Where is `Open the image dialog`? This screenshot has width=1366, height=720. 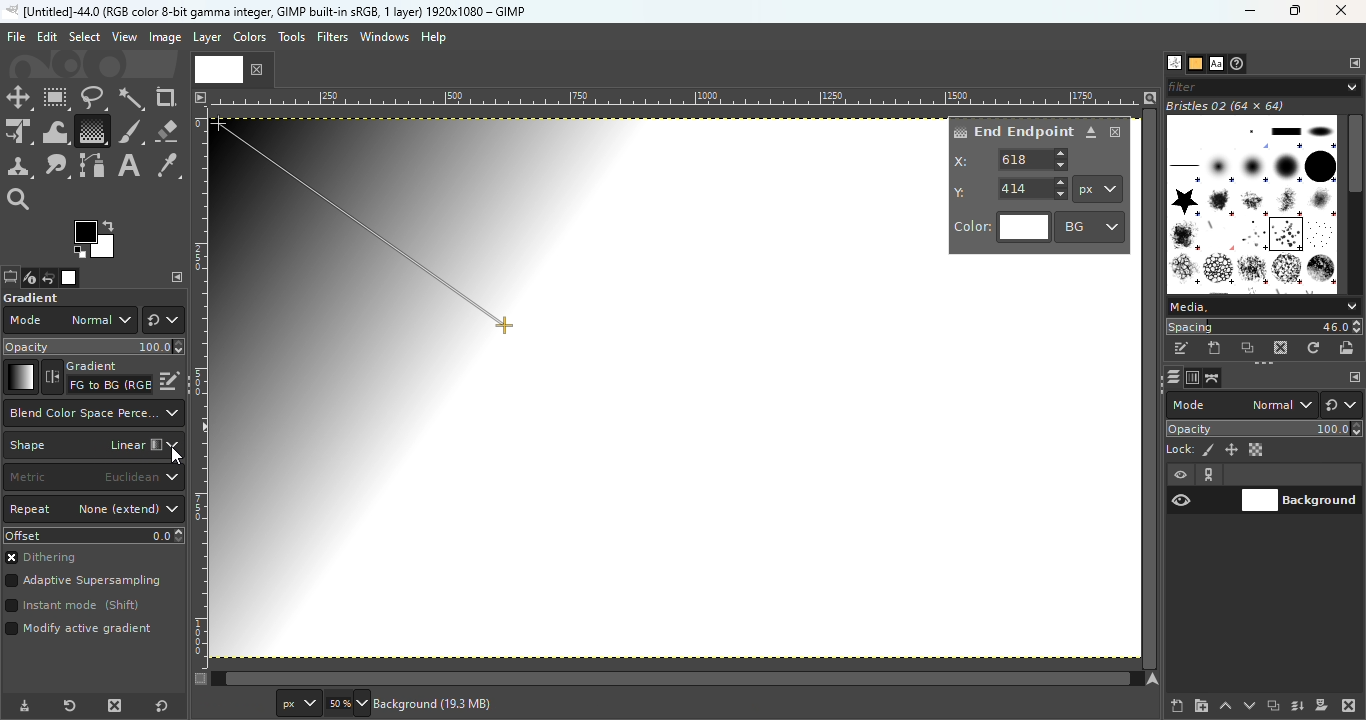
Open the image dialog is located at coordinates (67, 278).